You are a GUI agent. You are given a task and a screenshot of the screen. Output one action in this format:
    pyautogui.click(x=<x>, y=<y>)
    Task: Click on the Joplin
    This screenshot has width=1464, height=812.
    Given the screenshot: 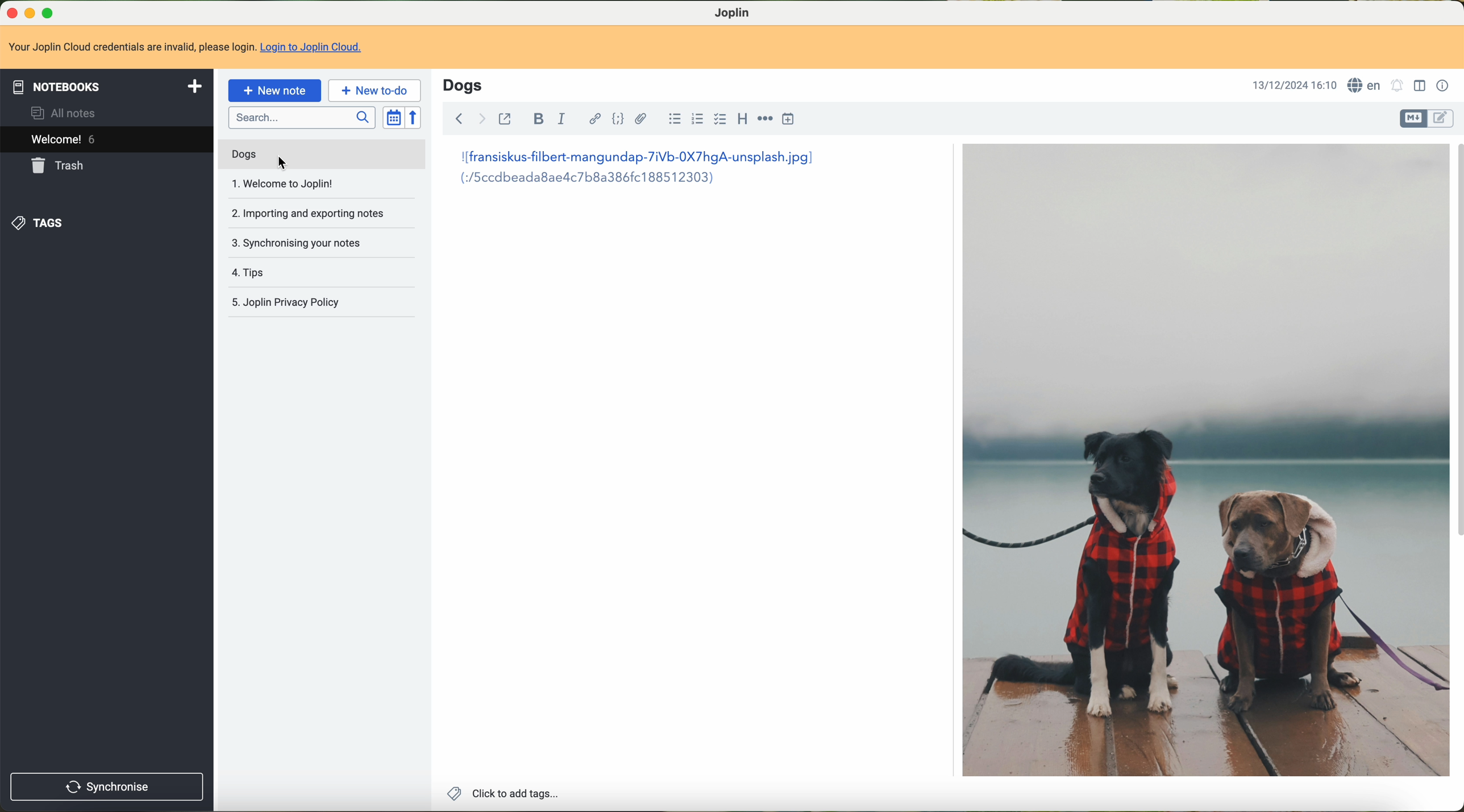 What is the action you would take?
    pyautogui.click(x=734, y=12)
    